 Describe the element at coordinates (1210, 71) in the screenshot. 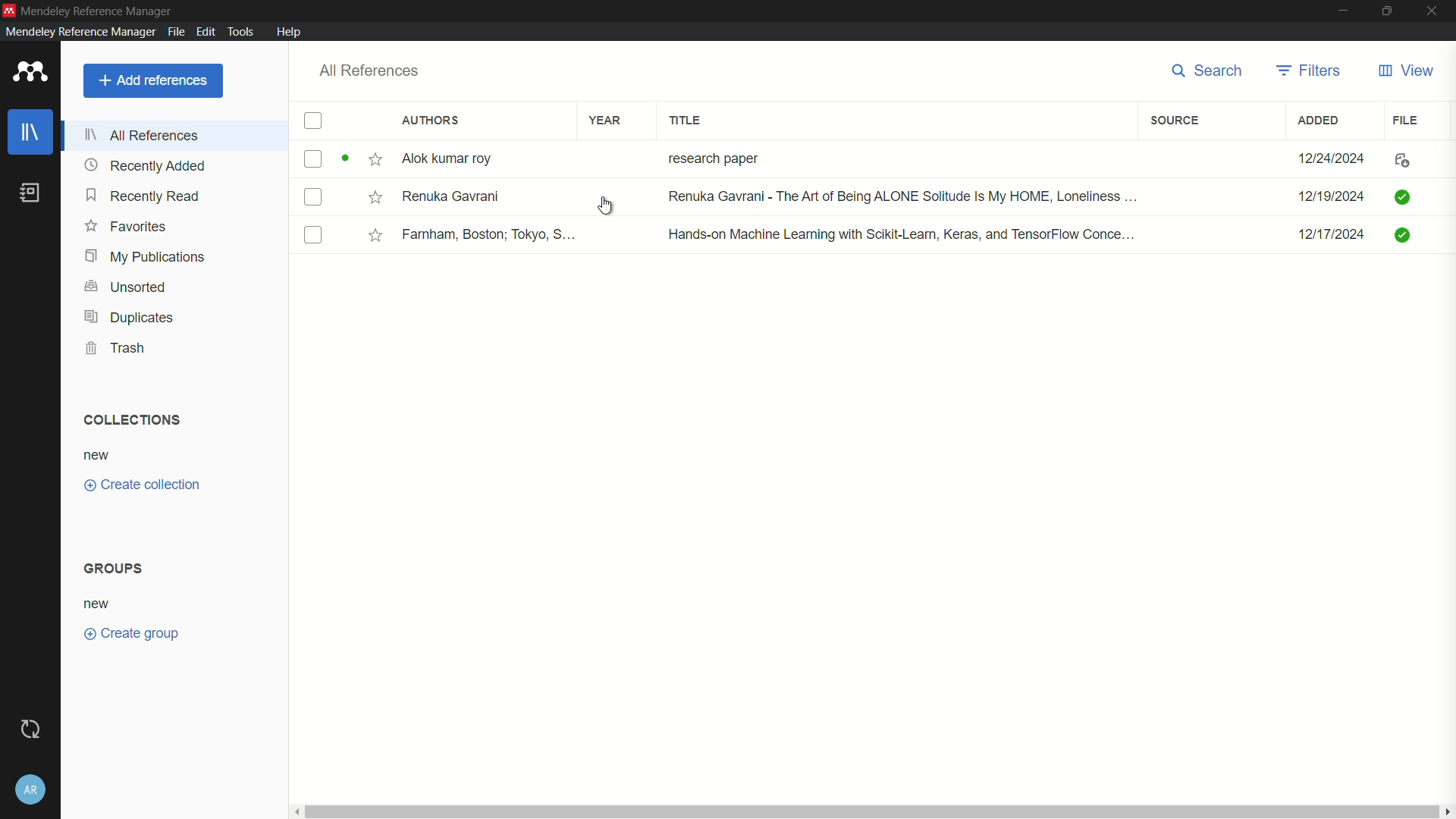

I see `search` at that location.